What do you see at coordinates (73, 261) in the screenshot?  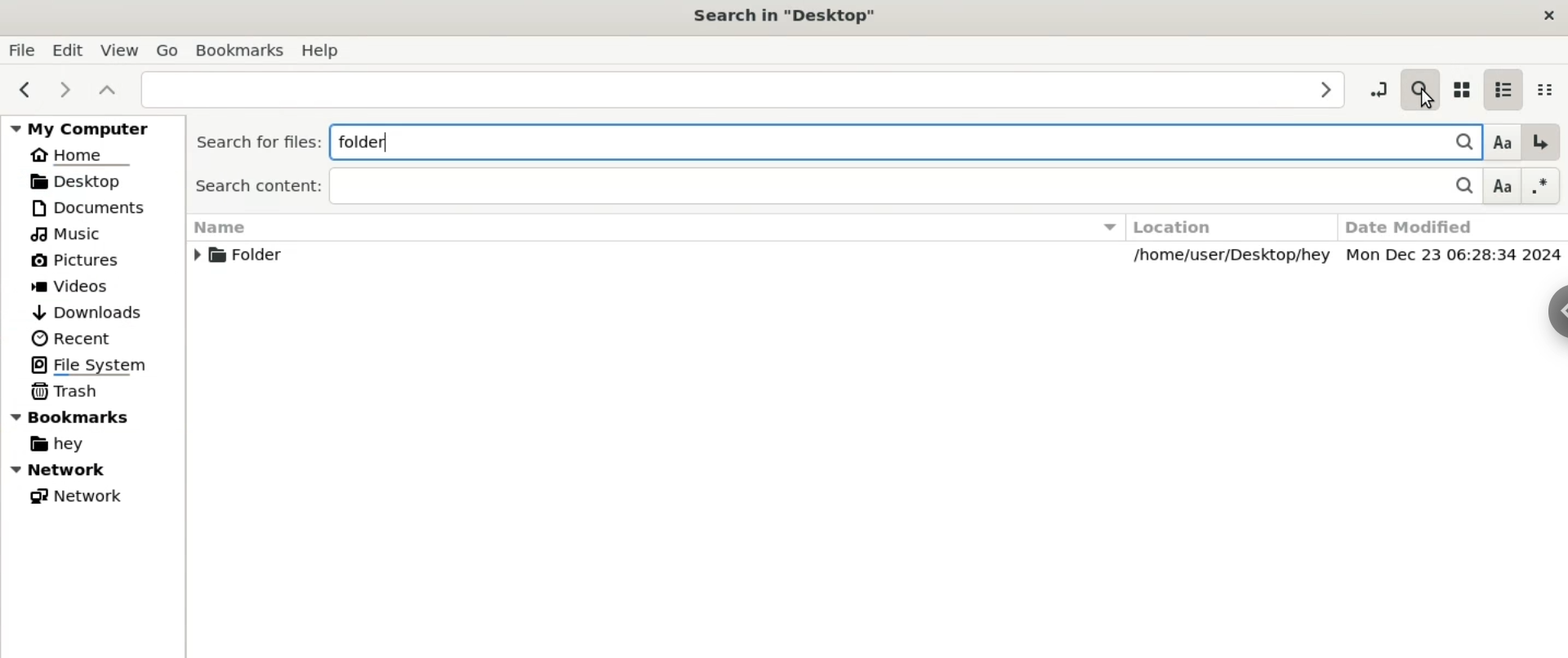 I see `Pictures` at bounding box center [73, 261].